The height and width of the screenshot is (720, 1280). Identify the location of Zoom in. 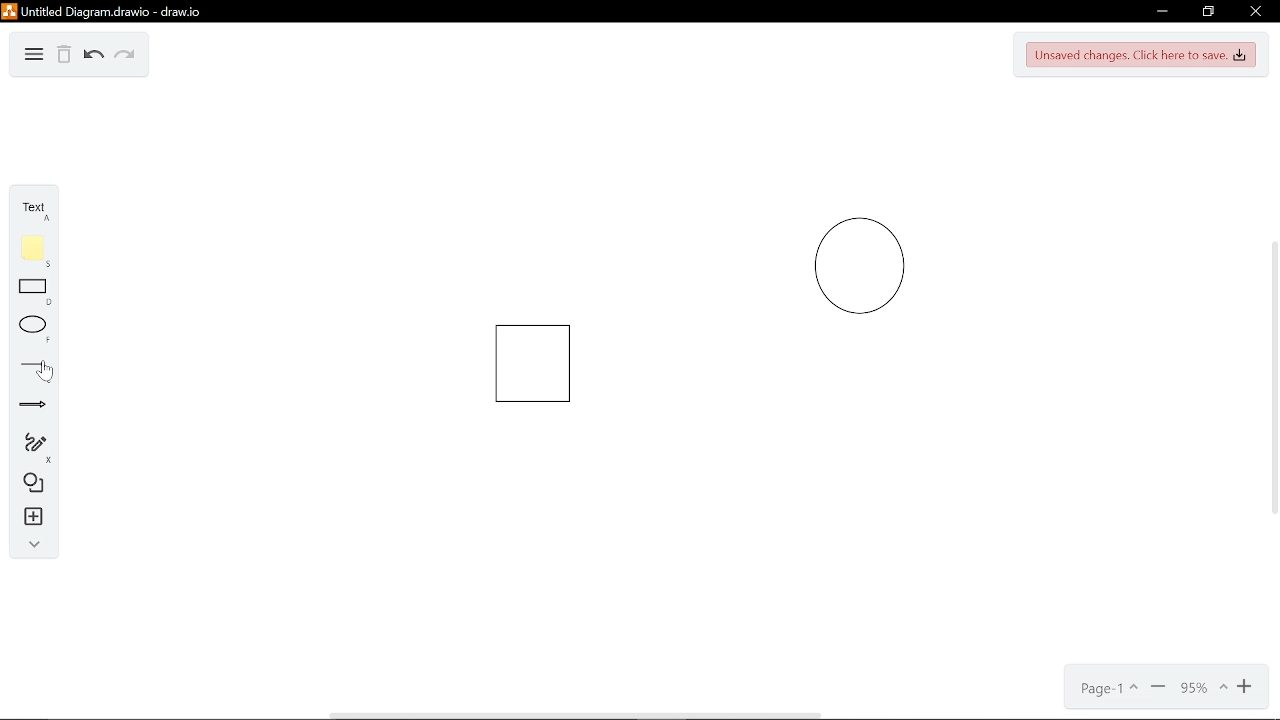
(1250, 688).